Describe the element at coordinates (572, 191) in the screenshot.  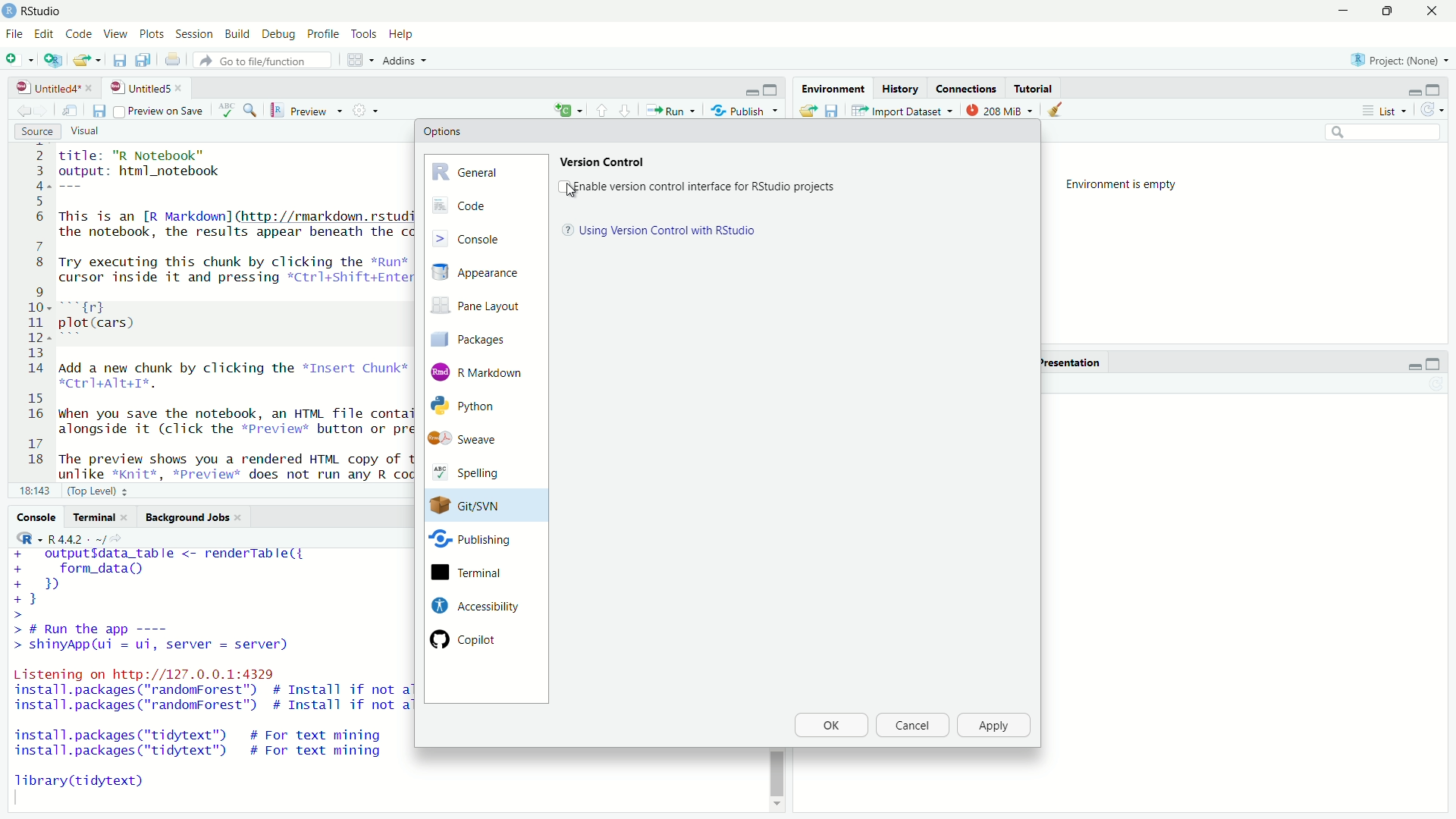
I see `cursor` at that location.